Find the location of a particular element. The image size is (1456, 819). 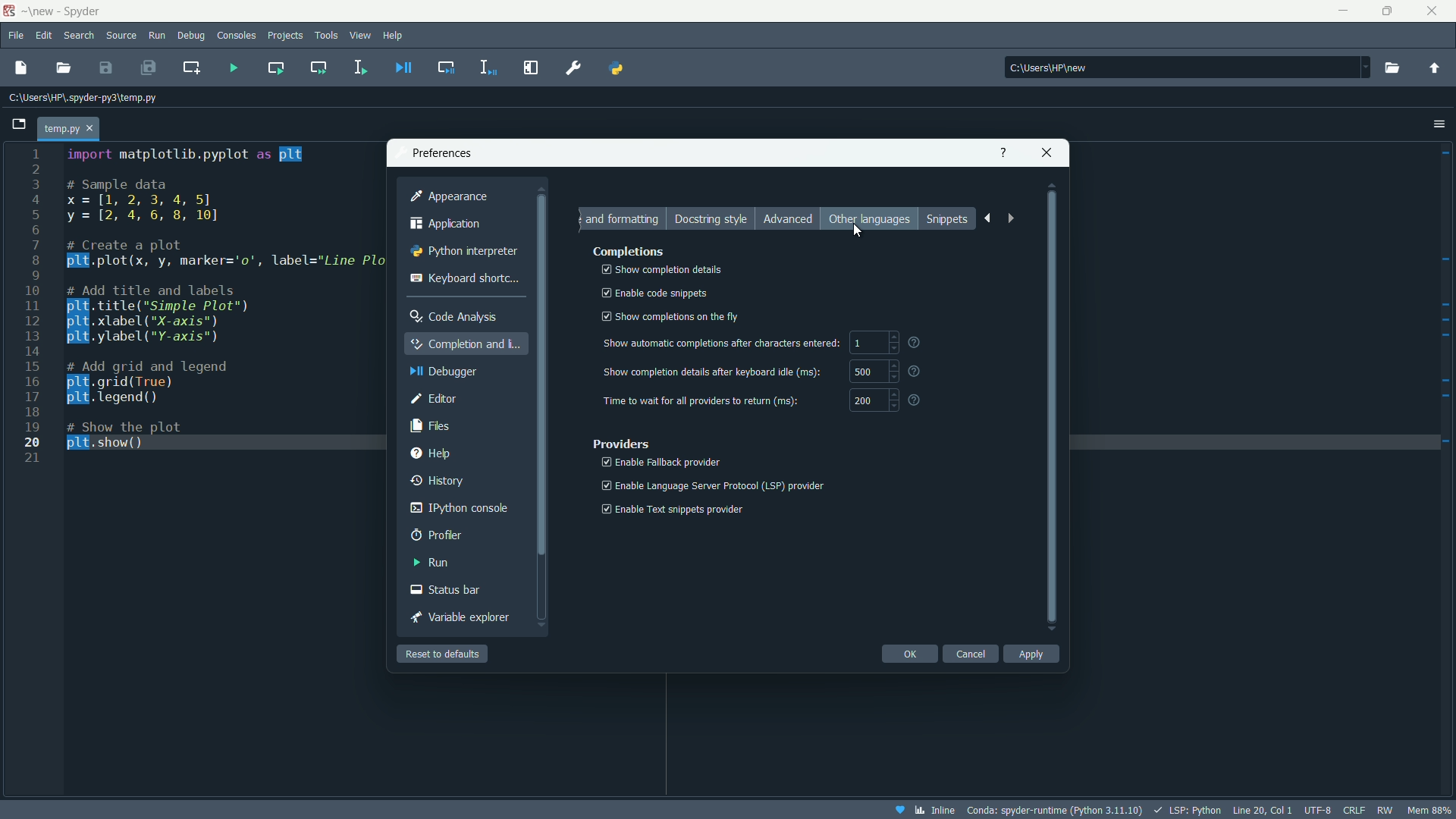

time to wait for ai providers to return is located at coordinates (704, 401).